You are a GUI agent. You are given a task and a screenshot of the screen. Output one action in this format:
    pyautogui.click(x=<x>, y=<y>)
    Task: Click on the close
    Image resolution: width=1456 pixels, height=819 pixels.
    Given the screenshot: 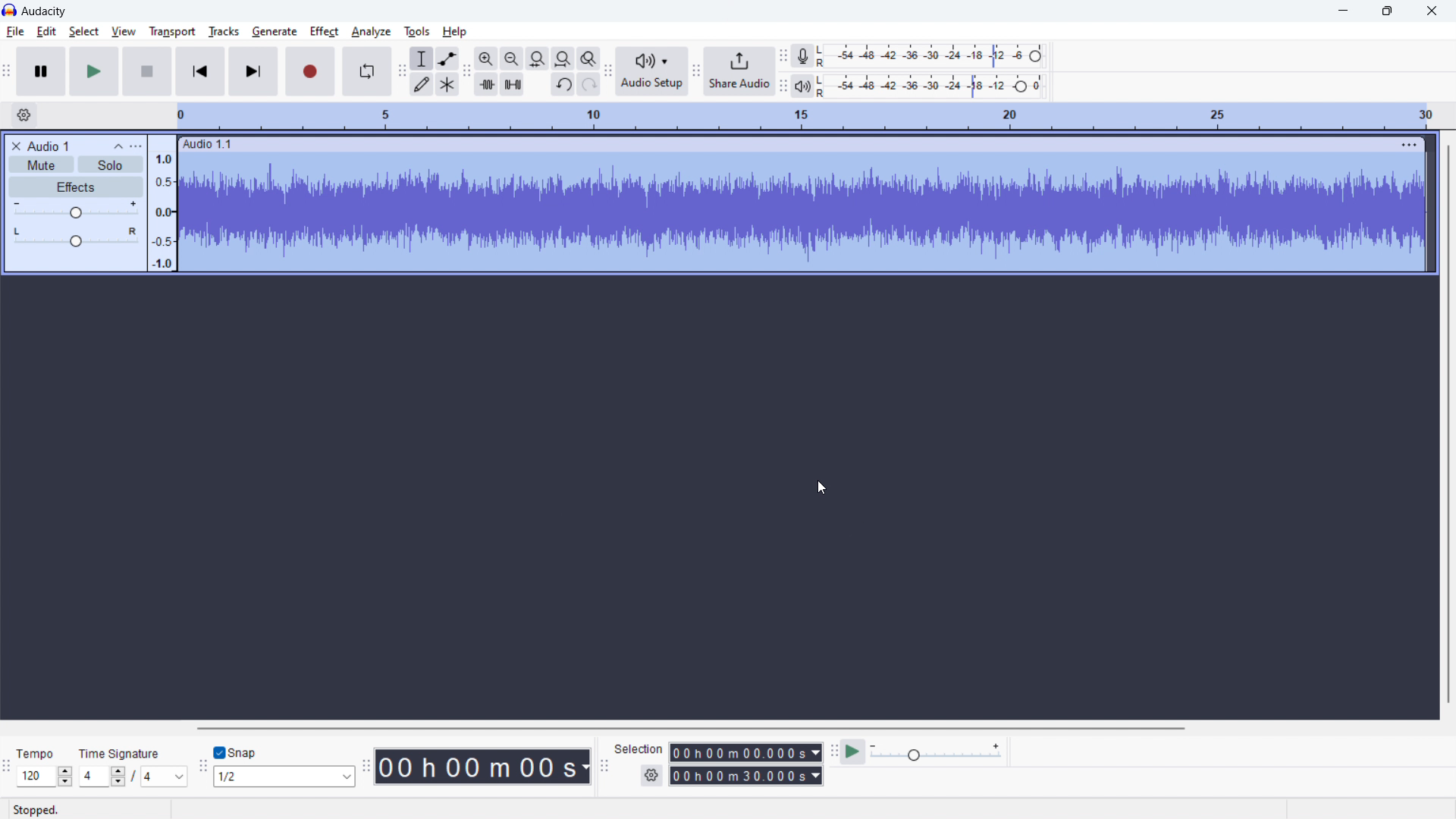 What is the action you would take?
    pyautogui.click(x=1431, y=11)
    